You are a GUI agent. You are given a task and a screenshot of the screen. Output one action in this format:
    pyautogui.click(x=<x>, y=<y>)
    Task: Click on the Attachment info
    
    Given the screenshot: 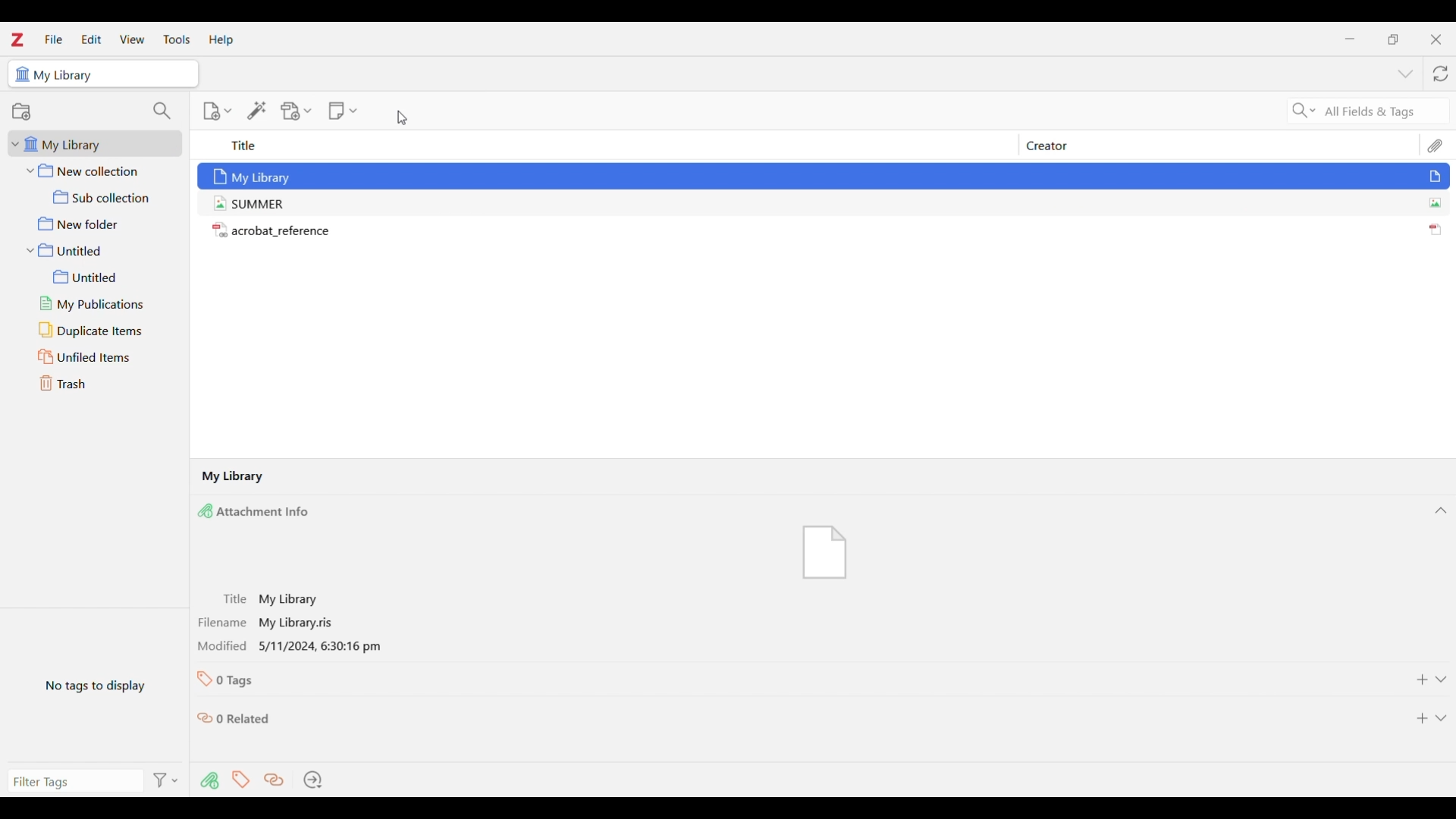 What is the action you would take?
    pyautogui.click(x=266, y=511)
    